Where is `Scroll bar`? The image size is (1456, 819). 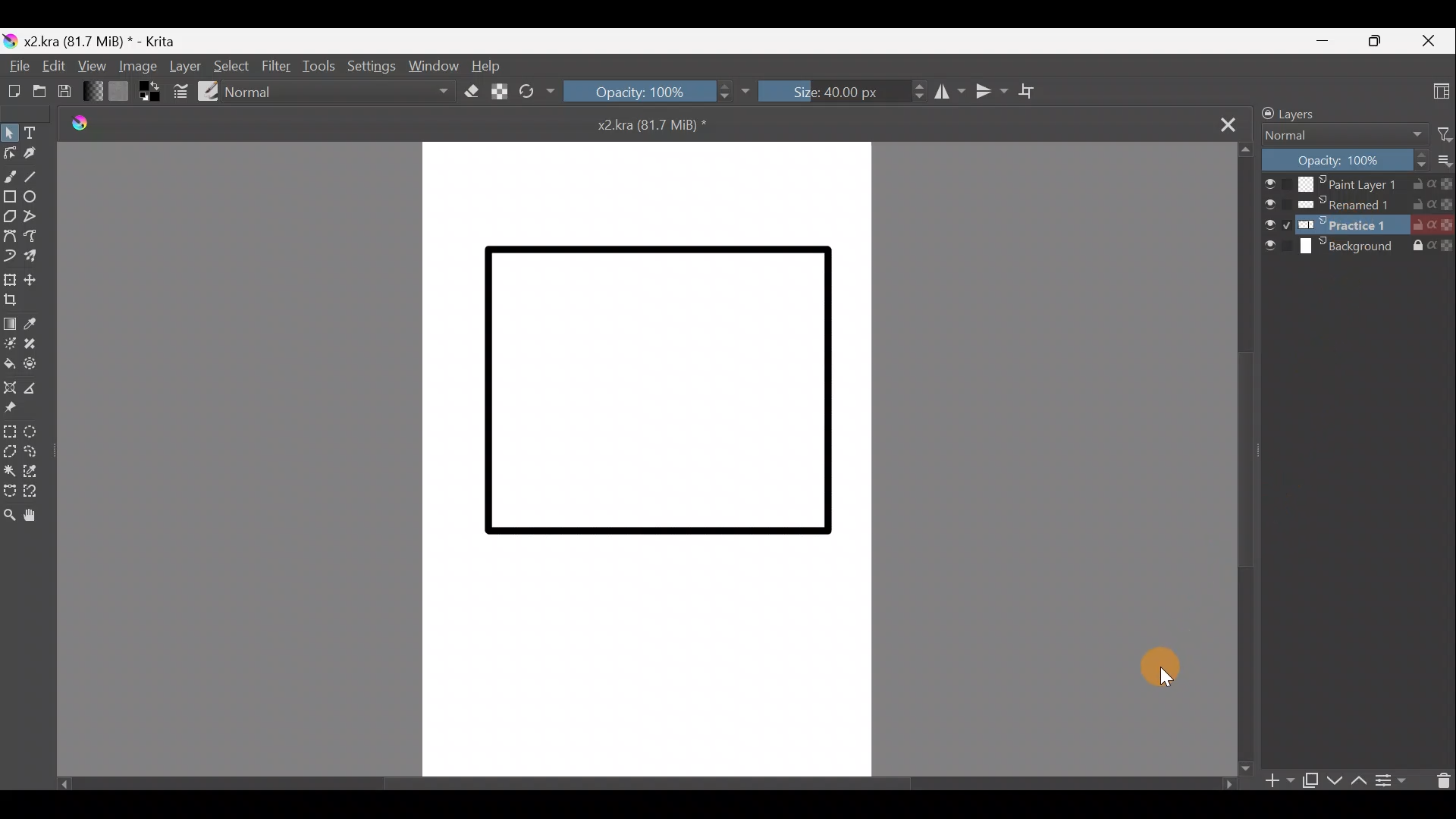
Scroll bar is located at coordinates (1239, 457).